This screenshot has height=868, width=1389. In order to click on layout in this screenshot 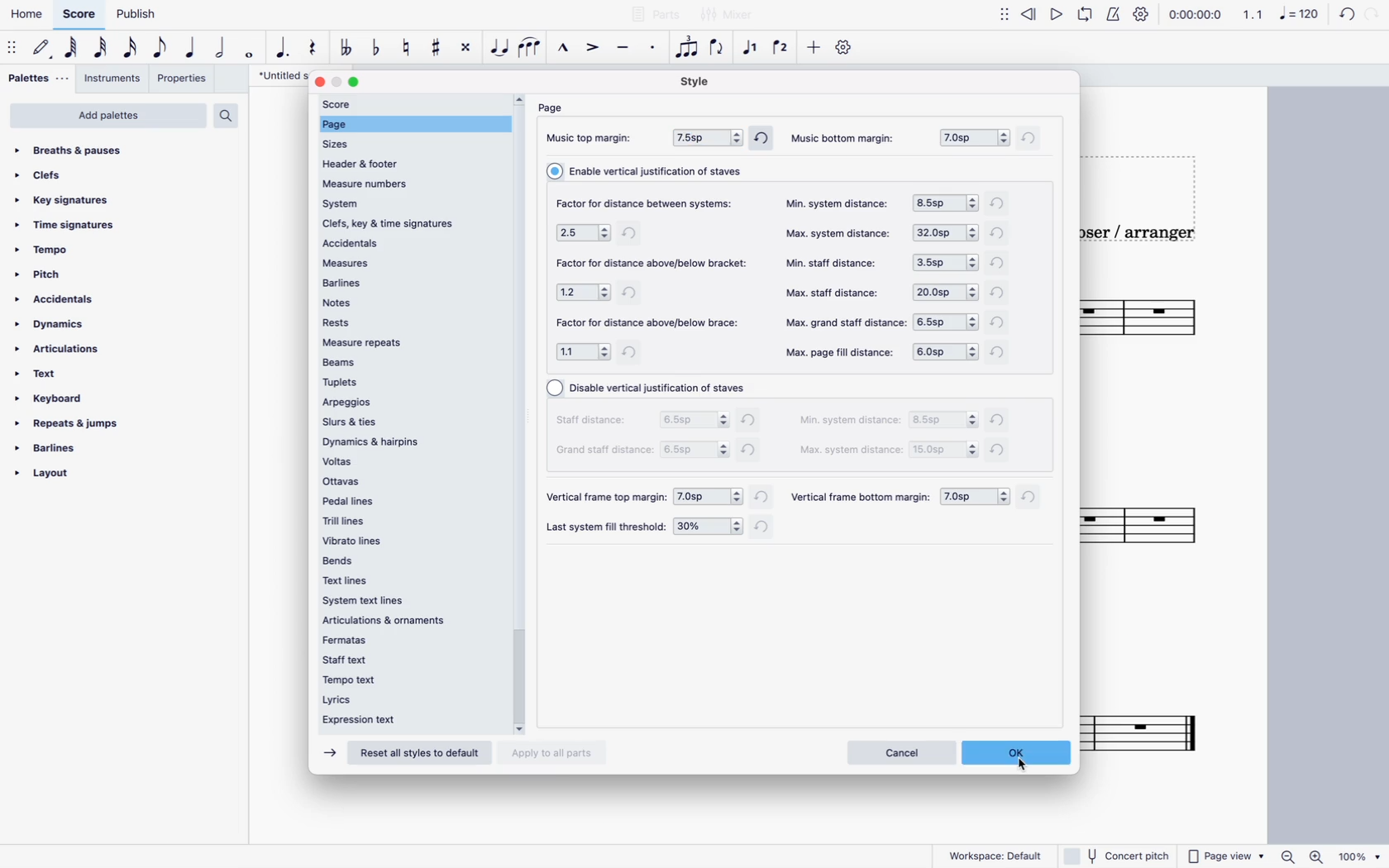, I will do `click(46, 475)`.